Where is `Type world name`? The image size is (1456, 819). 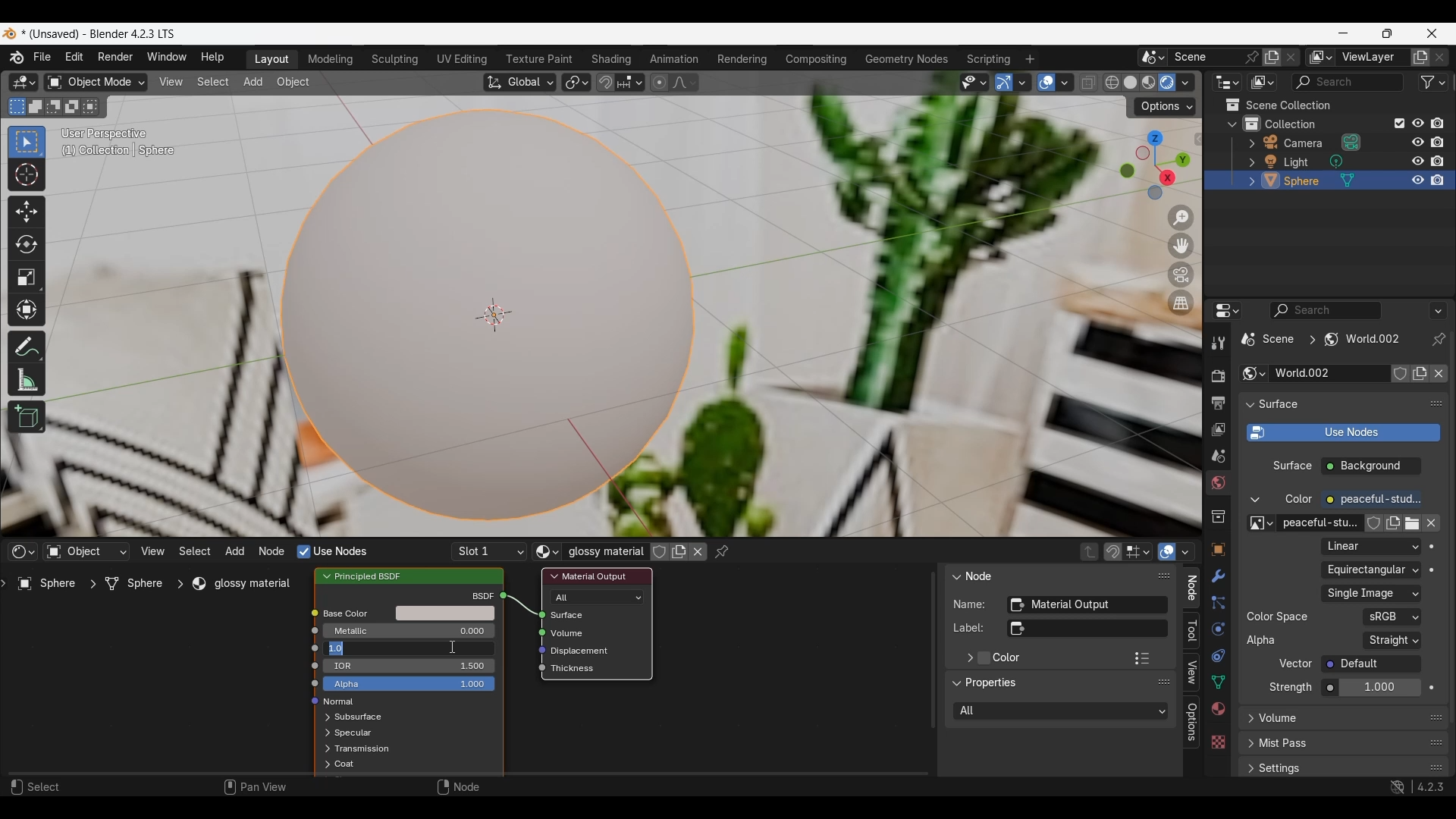 Type world name is located at coordinates (1327, 373).